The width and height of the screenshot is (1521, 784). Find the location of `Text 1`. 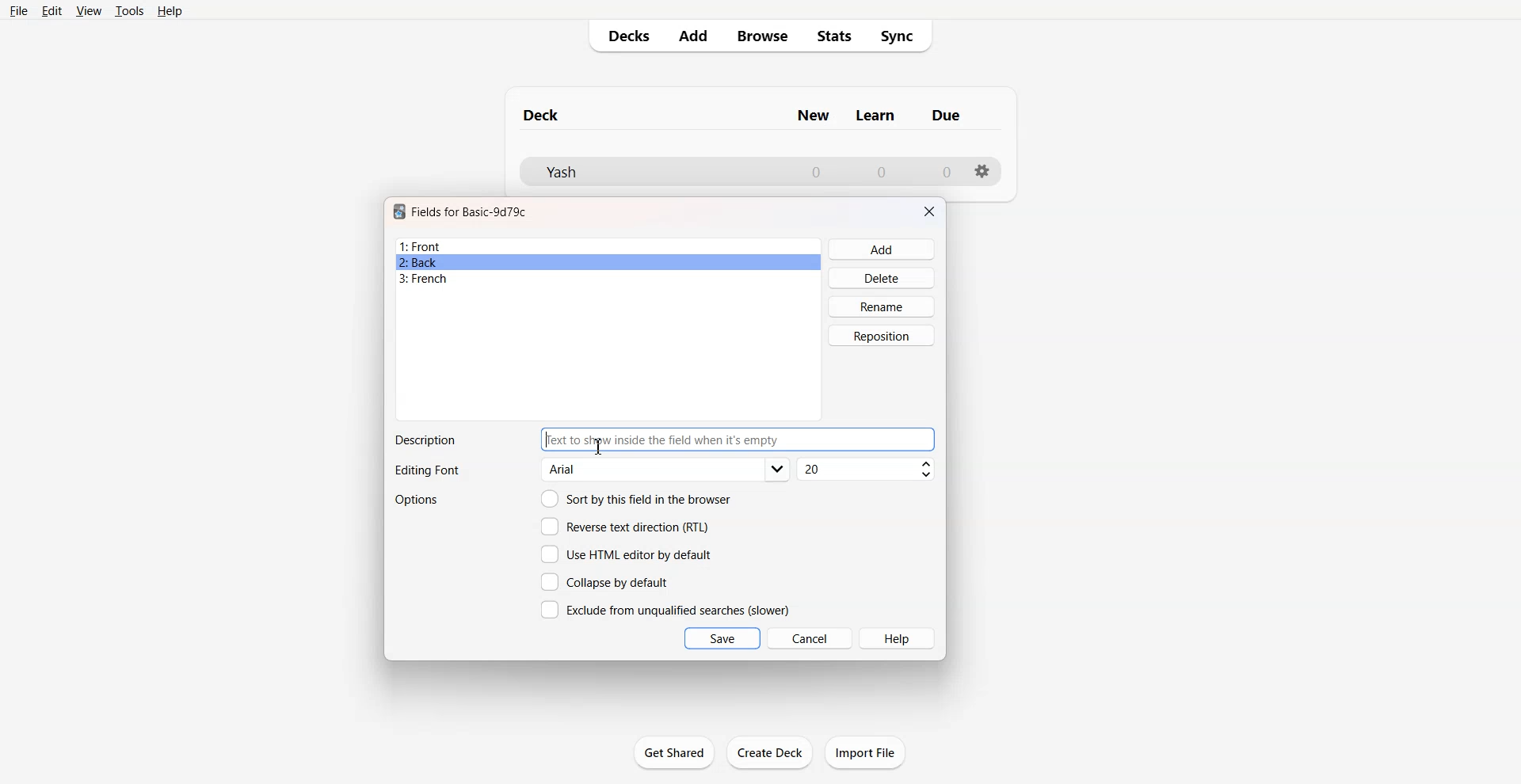

Text 1 is located at coordinates (542, 115).